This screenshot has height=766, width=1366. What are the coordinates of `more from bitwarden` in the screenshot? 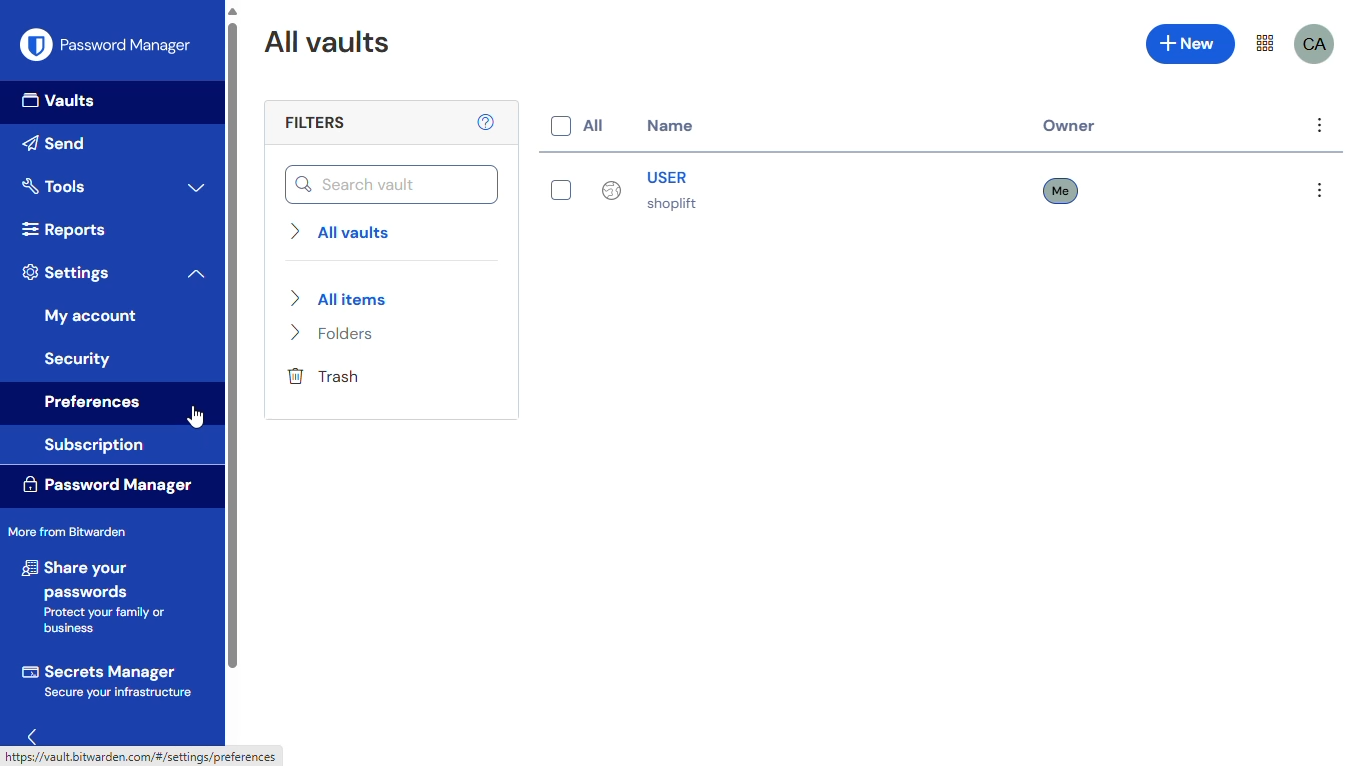 It's located at (1265, 44).